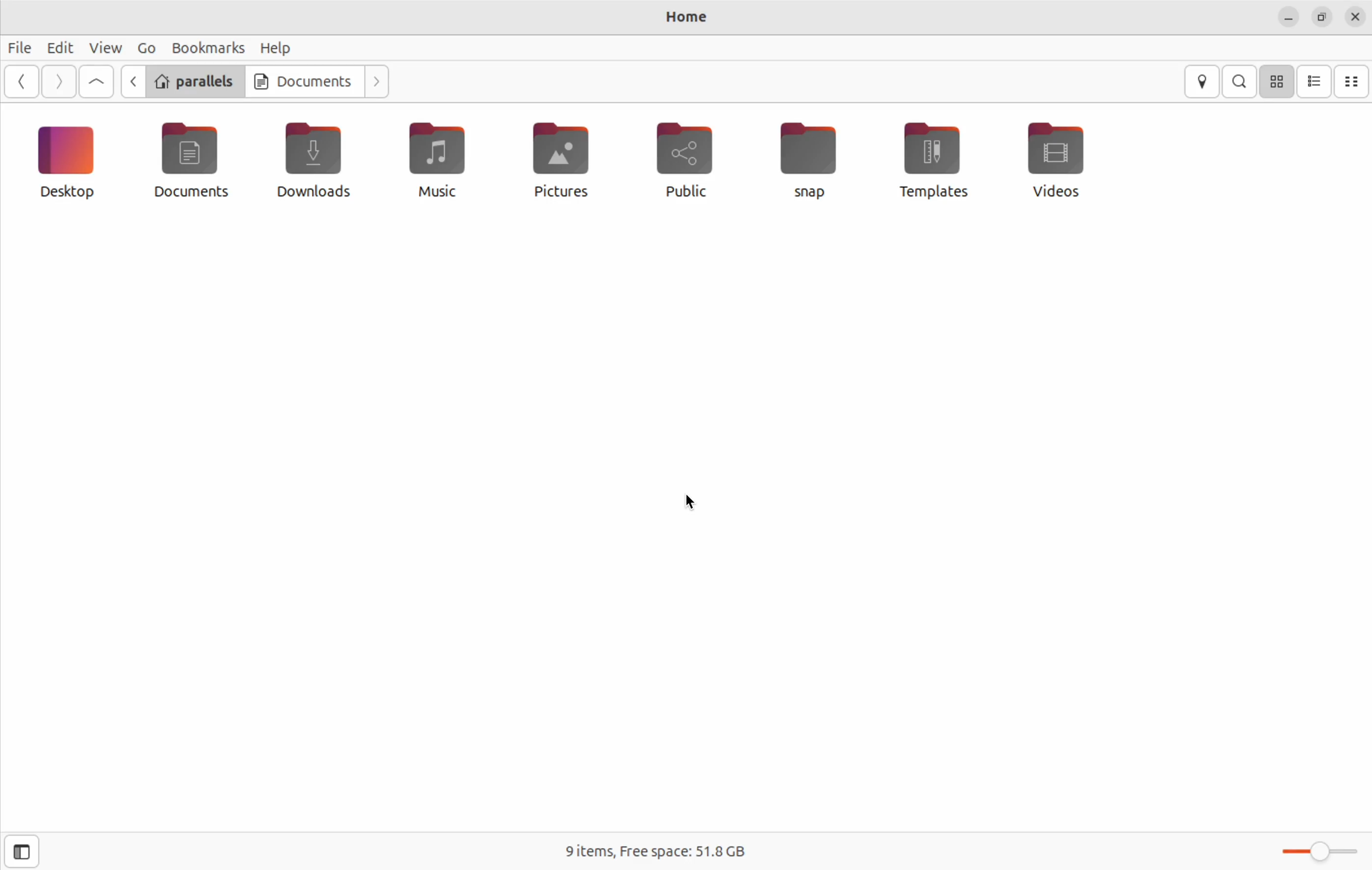 This screenshot has width=1372, height=870. What do you see at coordinates (813, 162) in the screenshot?
I see `snap files` at bounding box center [813, 162].